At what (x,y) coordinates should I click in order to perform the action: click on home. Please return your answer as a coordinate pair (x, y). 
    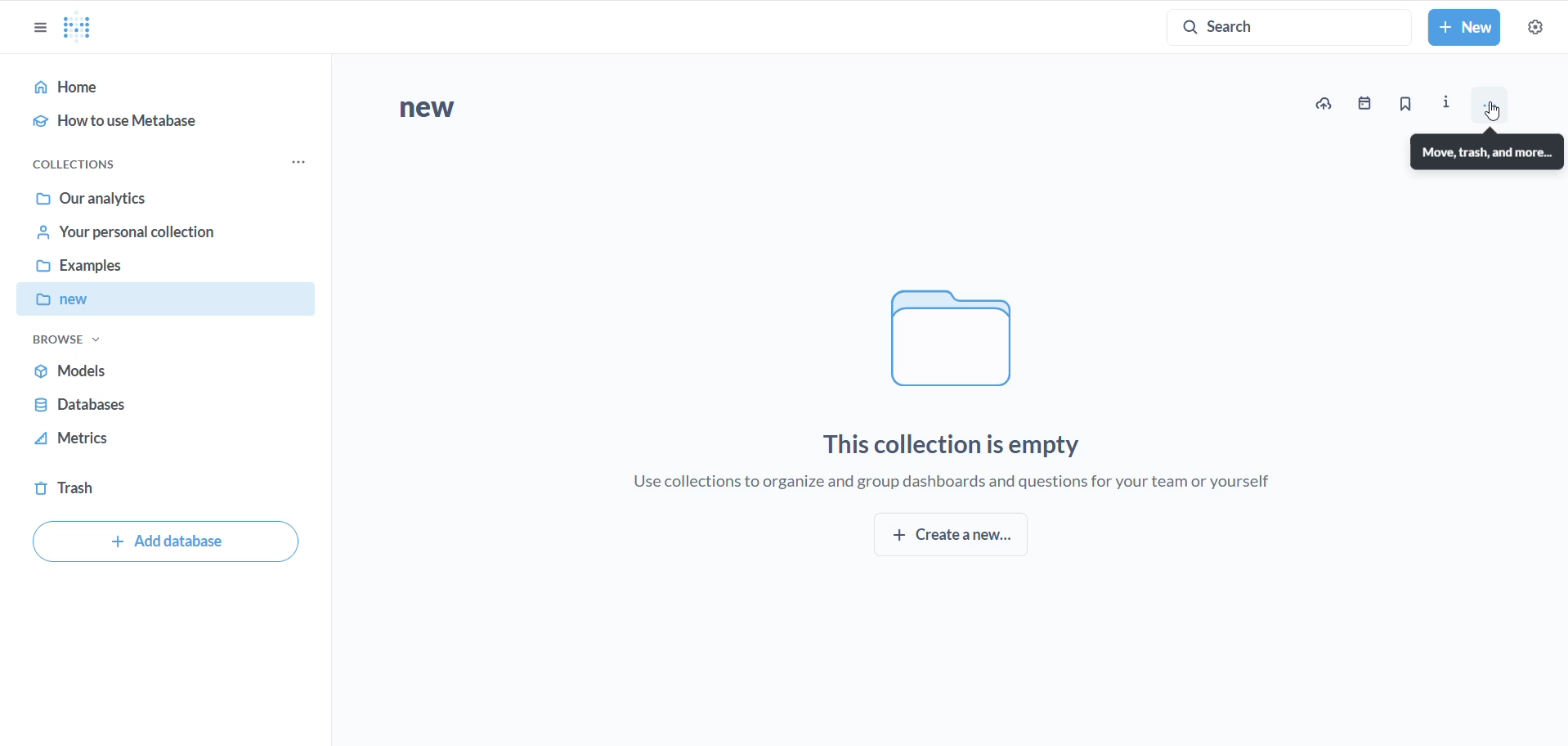
    Looking at the image, I should click on (159, 88).